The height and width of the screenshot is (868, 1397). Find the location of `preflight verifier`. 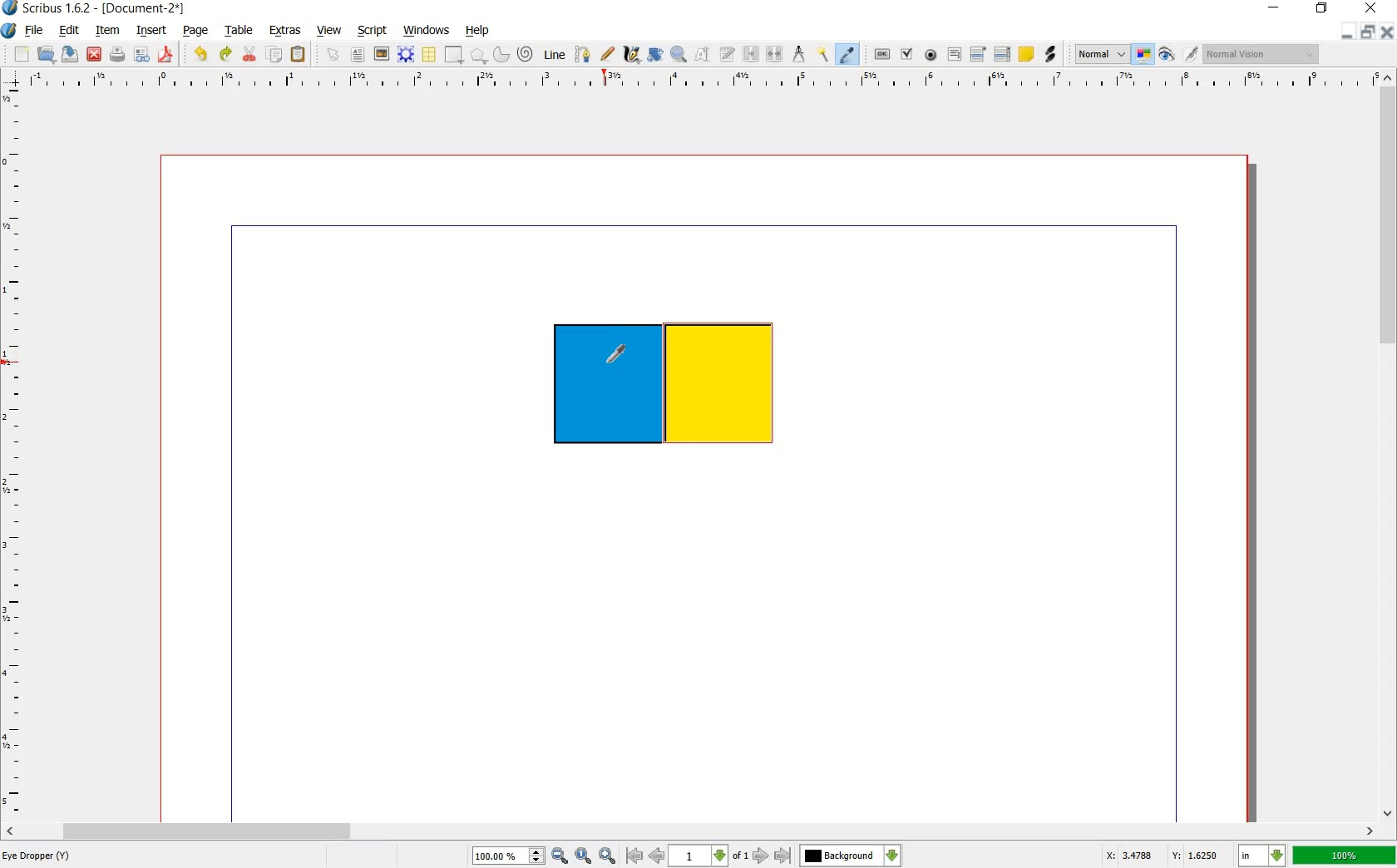

preflight verifier is located at coordinates (141, 54).